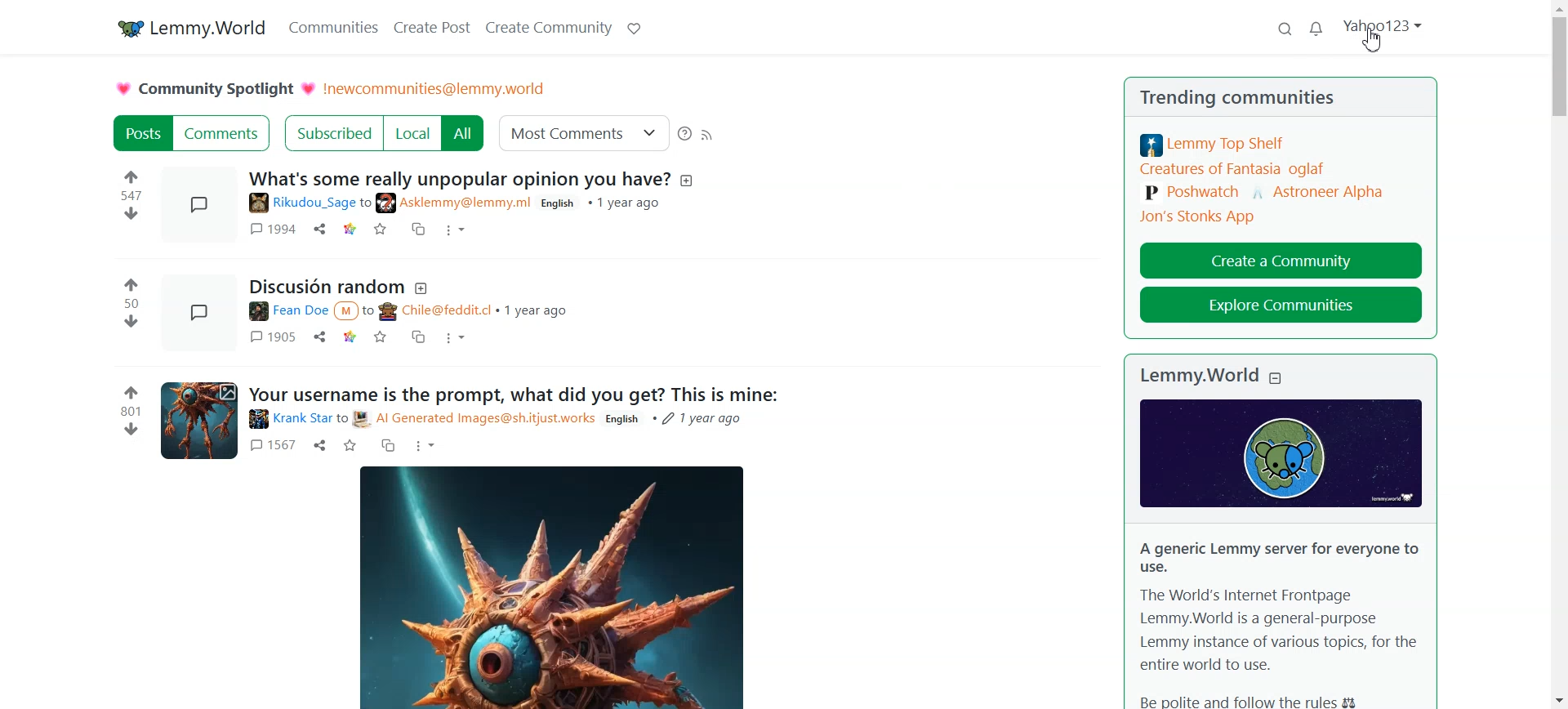  I want to click on notifications, so click(1316, 30).